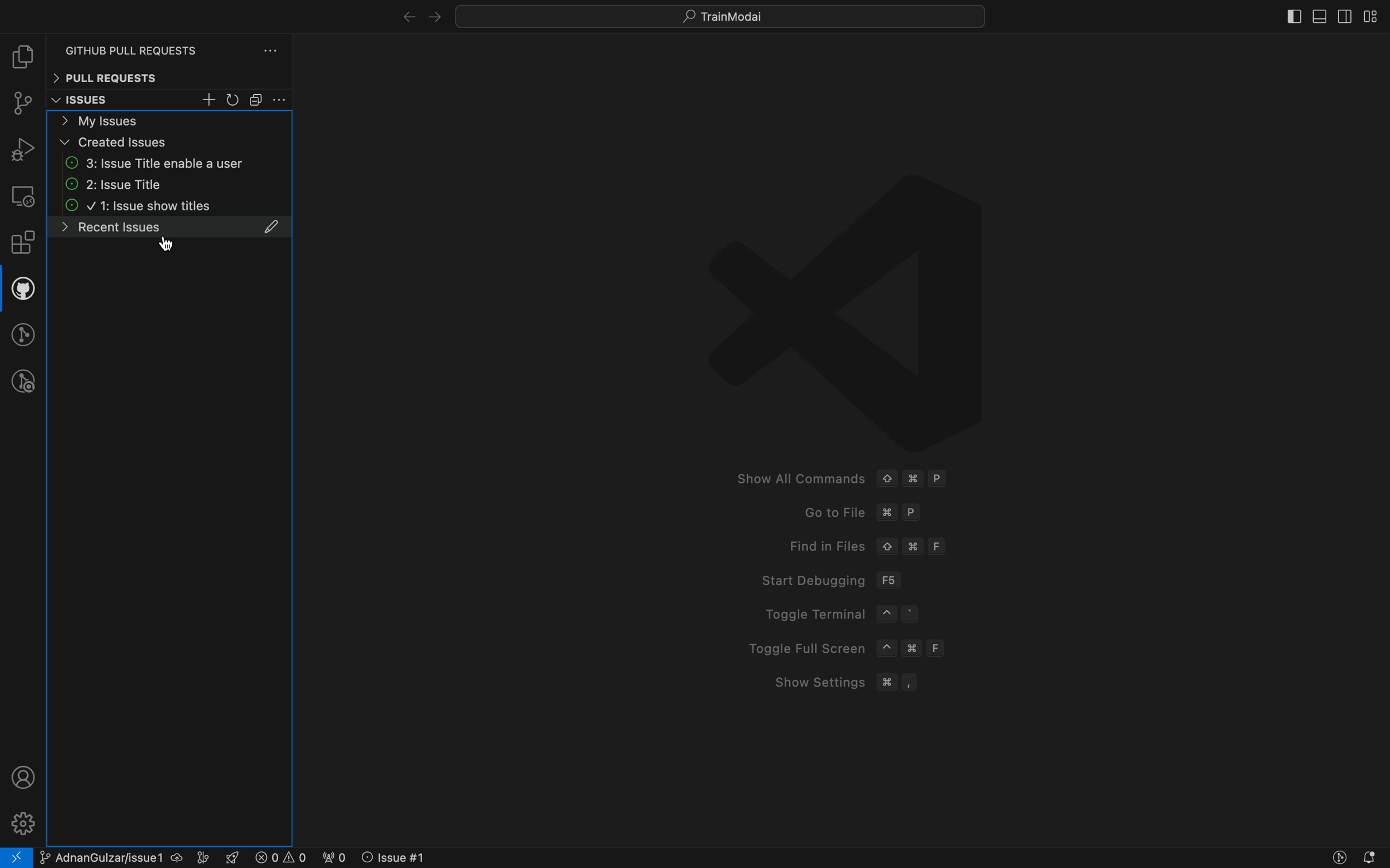  What do you see at coordinates (257, 100) in the screenshot?
I see `select bar` at bounding box center [257, 100].